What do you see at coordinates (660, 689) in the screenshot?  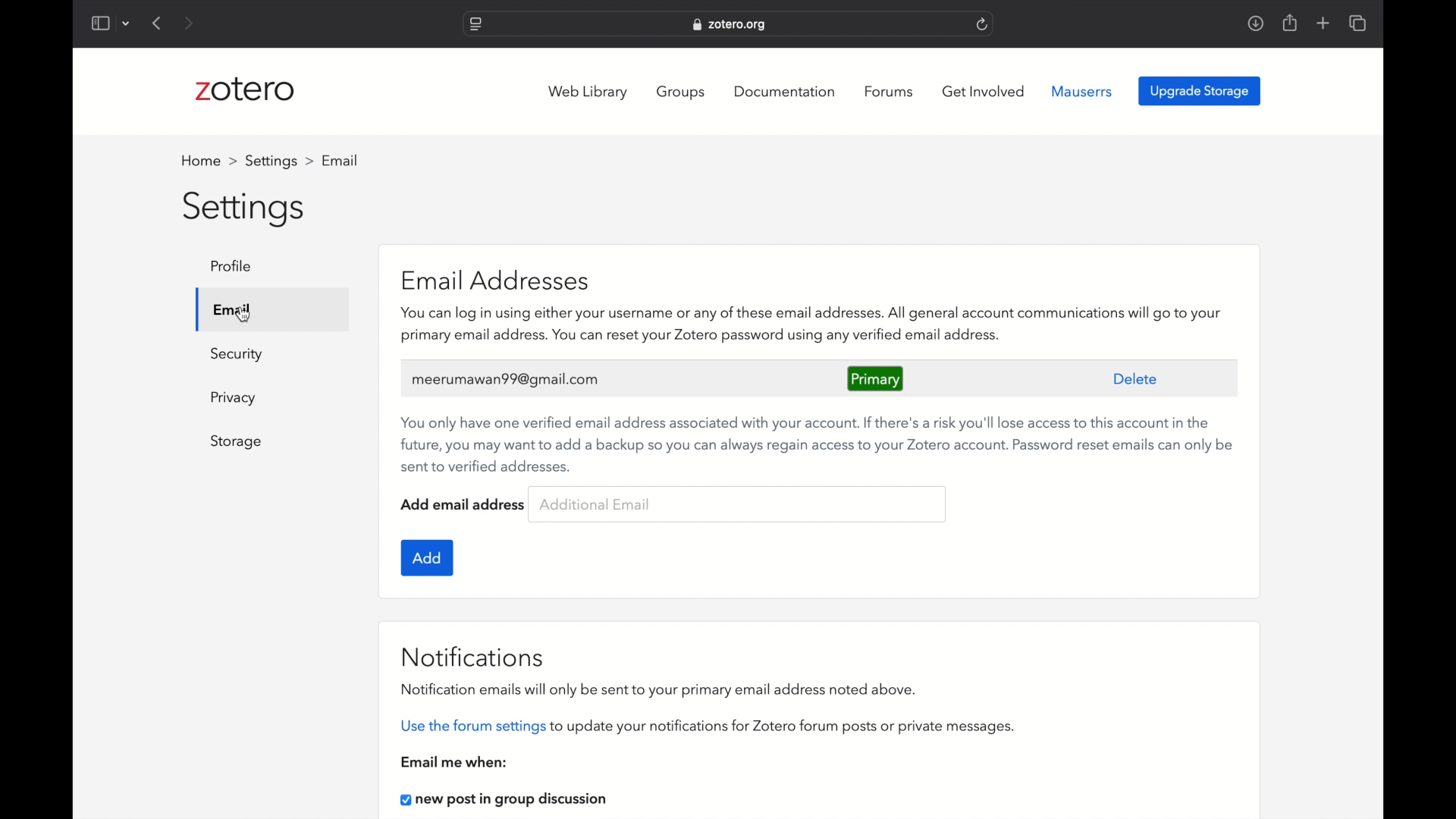 I see `notification emails will only be sent to your primary email address noted above` at bounding box center [660, 689].